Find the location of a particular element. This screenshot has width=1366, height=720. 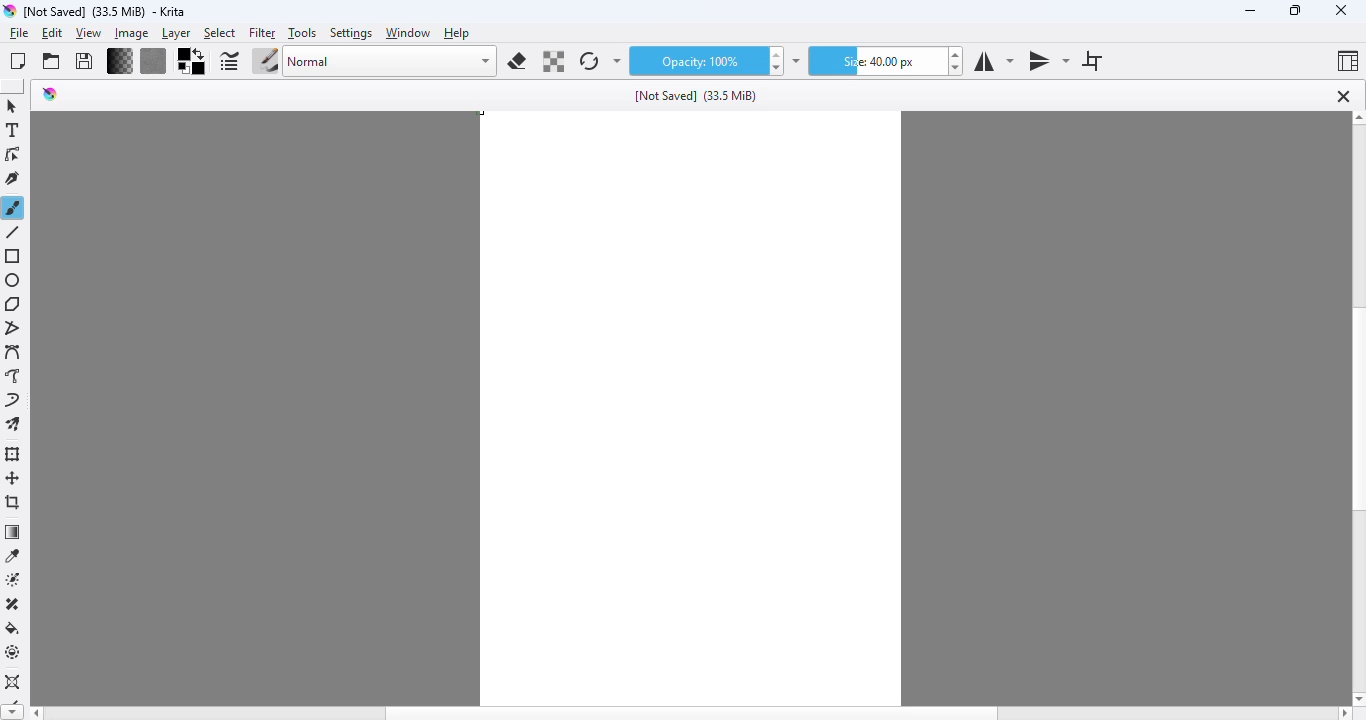

edit shapes tool is located at coordinates (15, 155).